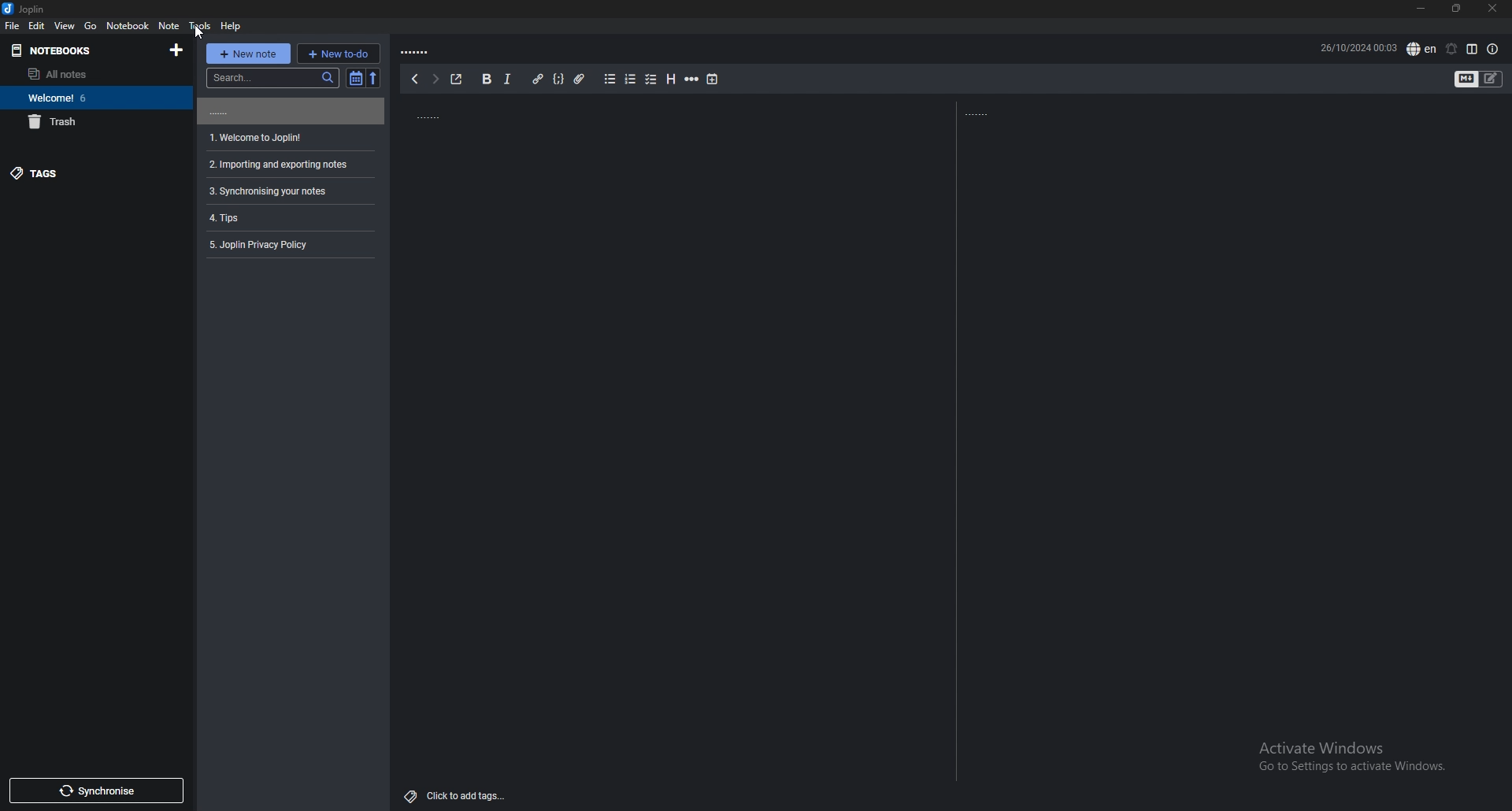 This screenshot has width=1512, height=811. Describe the element at coordinates (457, 80) in the screenshot. I see `toggle external editing` at that location.